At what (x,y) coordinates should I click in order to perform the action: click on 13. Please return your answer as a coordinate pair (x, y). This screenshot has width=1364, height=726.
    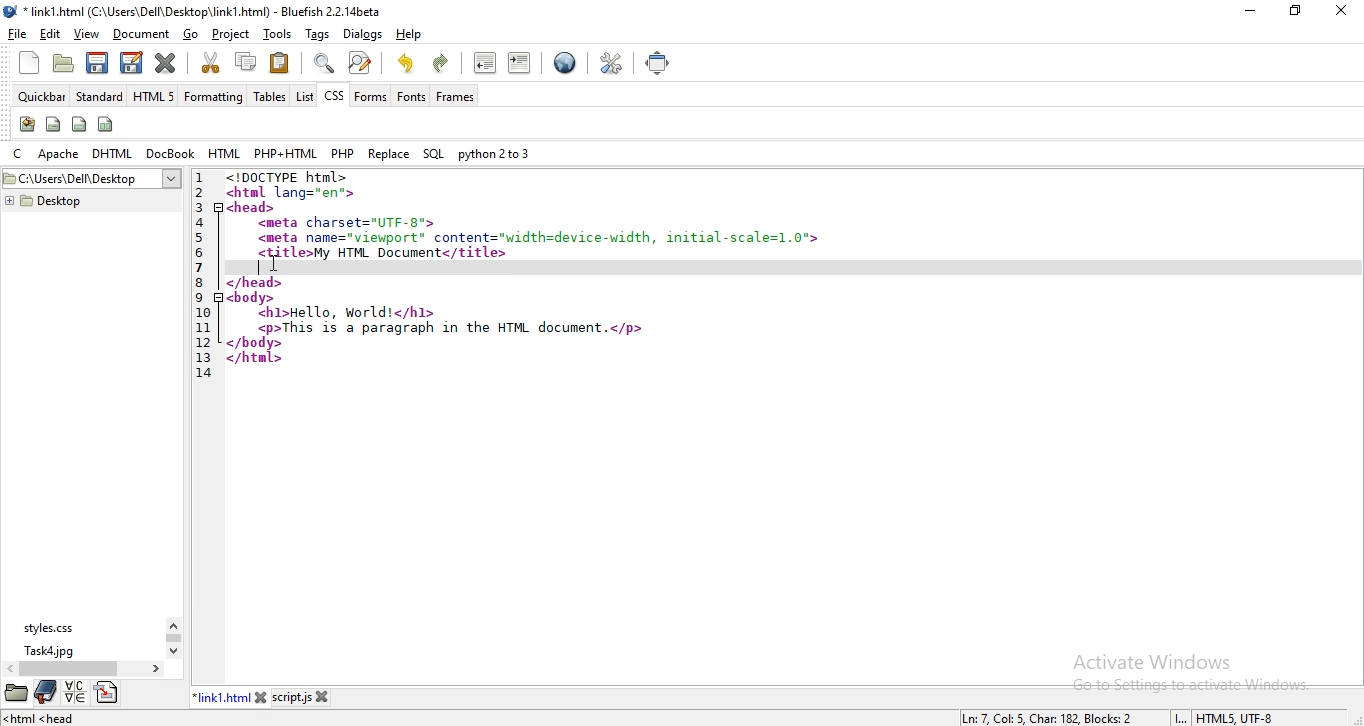
    Looking at the image, I should click on (203, 358).